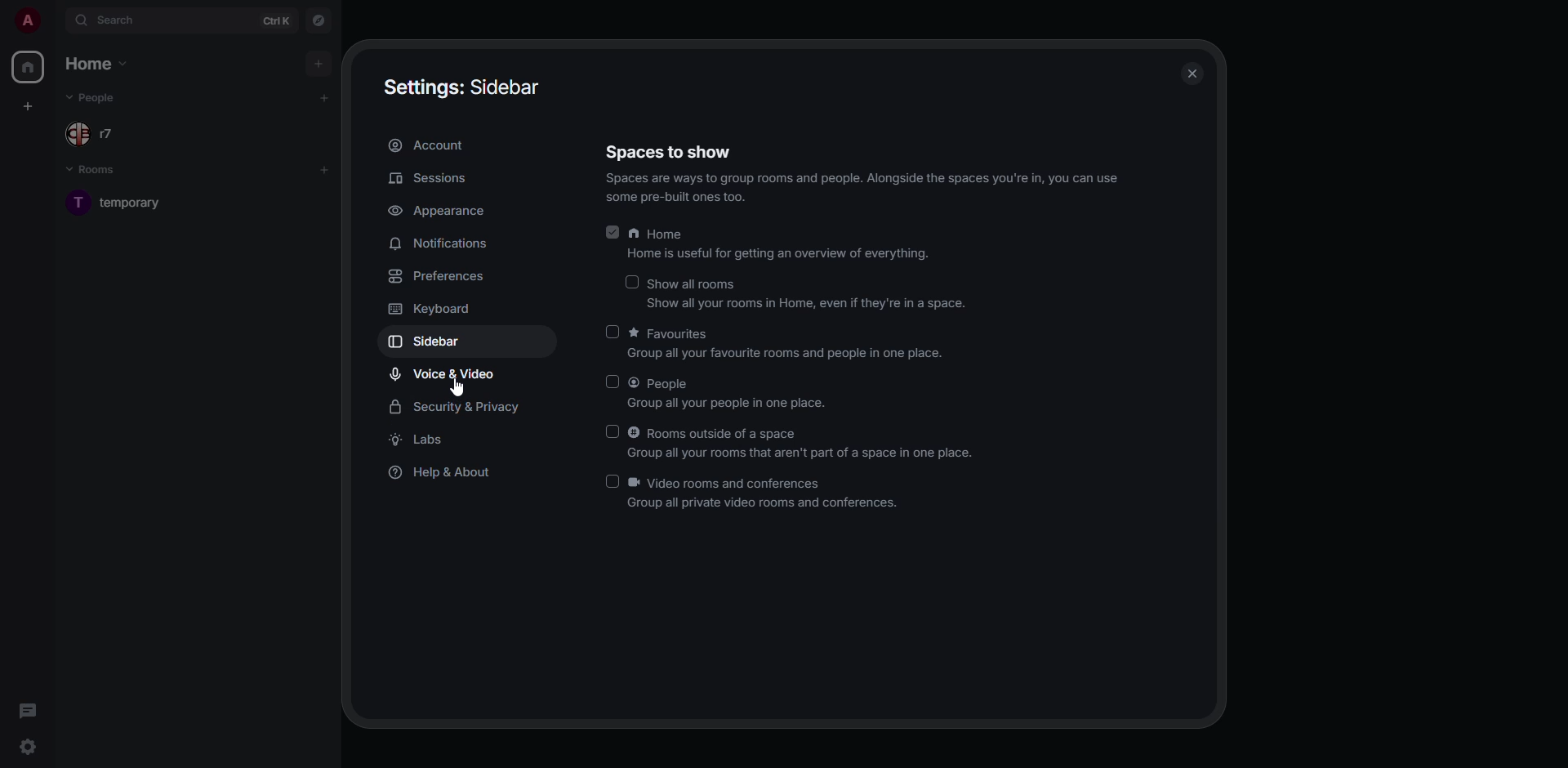 The width and height of the screenshot is (1568, 768). Describe the element at coordinates (26, 745) in the screenshot. I see `quick settings` at that location.